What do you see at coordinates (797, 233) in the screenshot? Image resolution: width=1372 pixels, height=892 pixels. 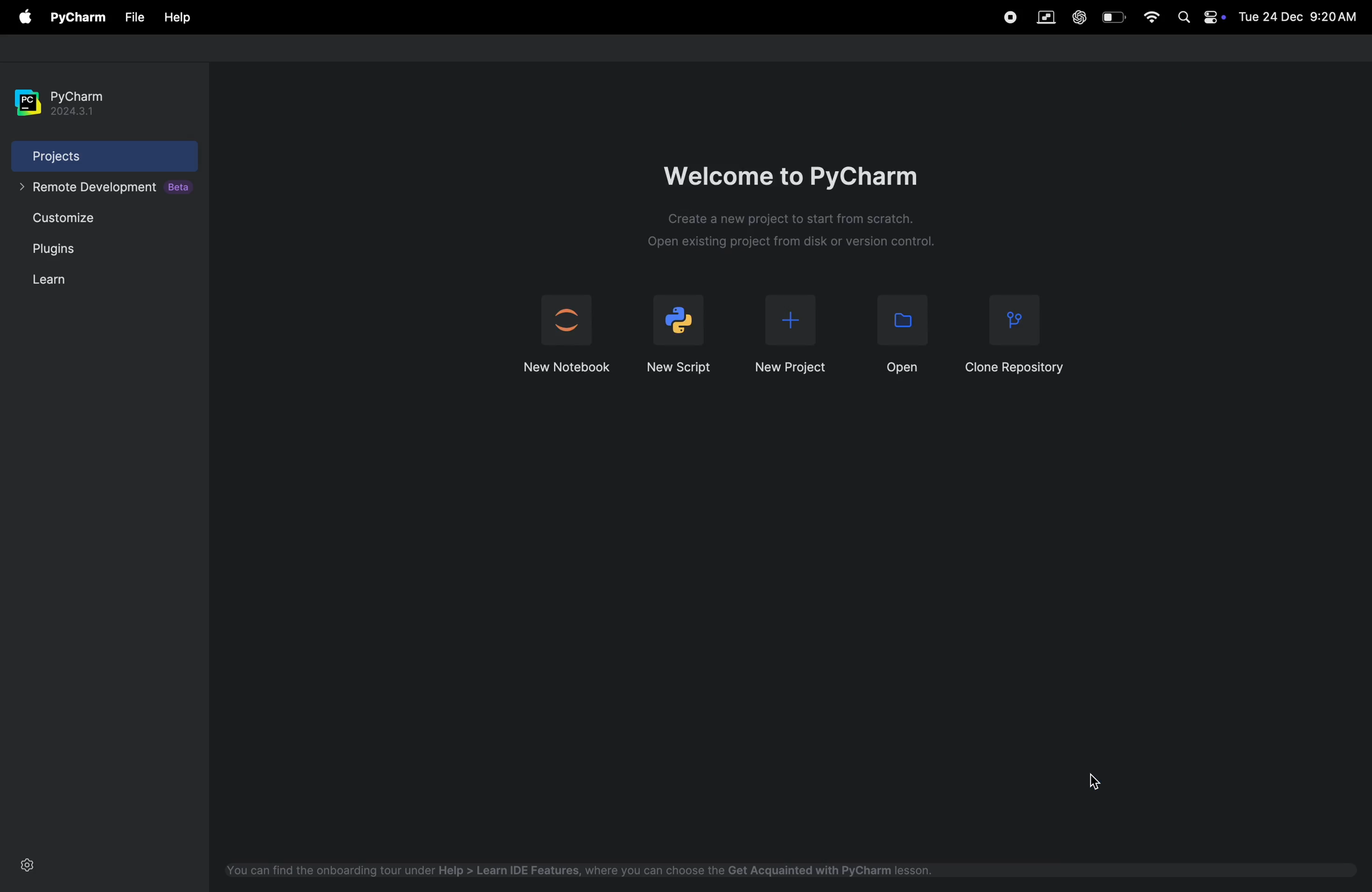 I see `Description` at bounding box center [797, 233].